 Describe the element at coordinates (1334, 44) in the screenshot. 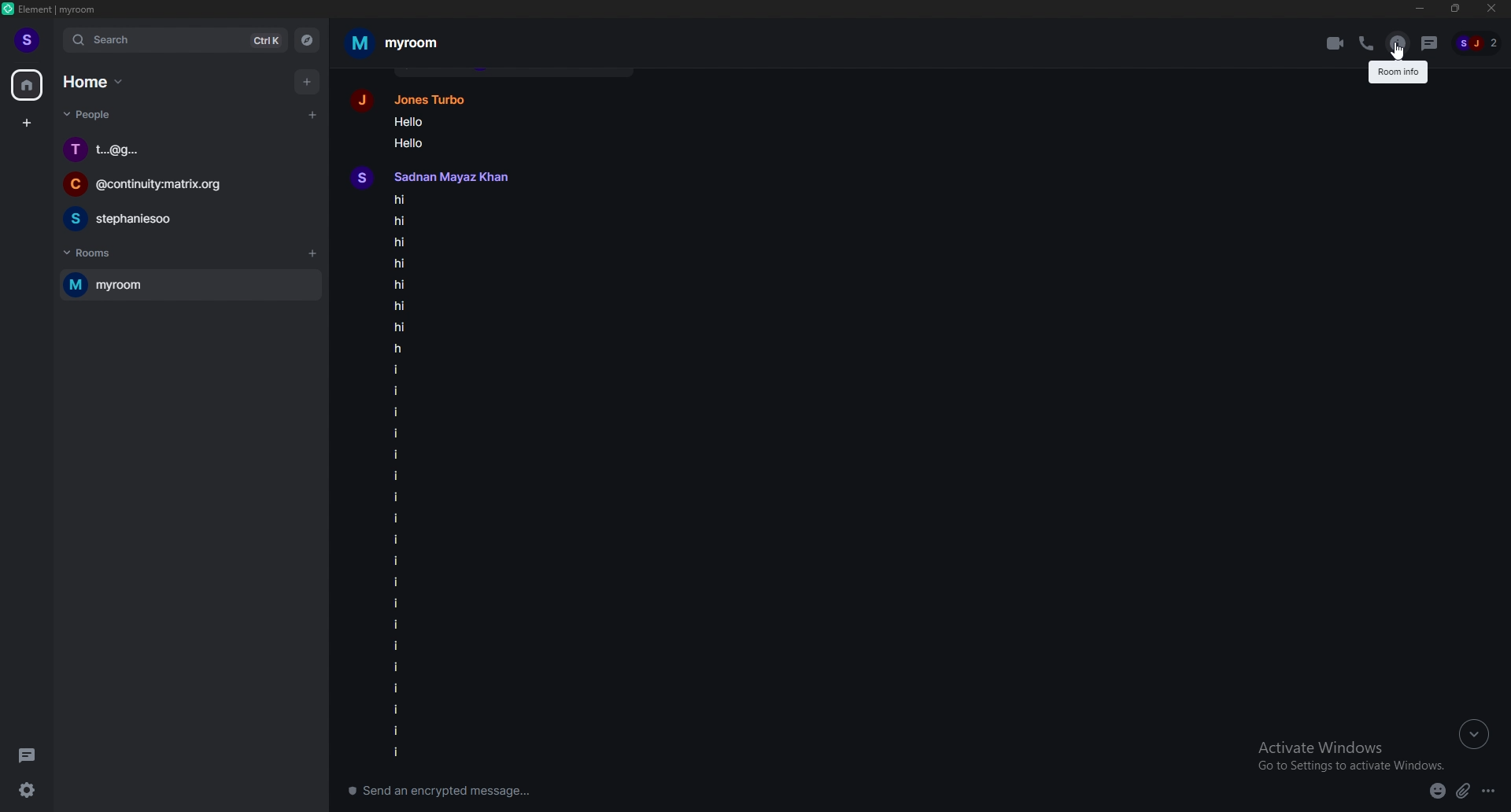

I see `video call` at that location.